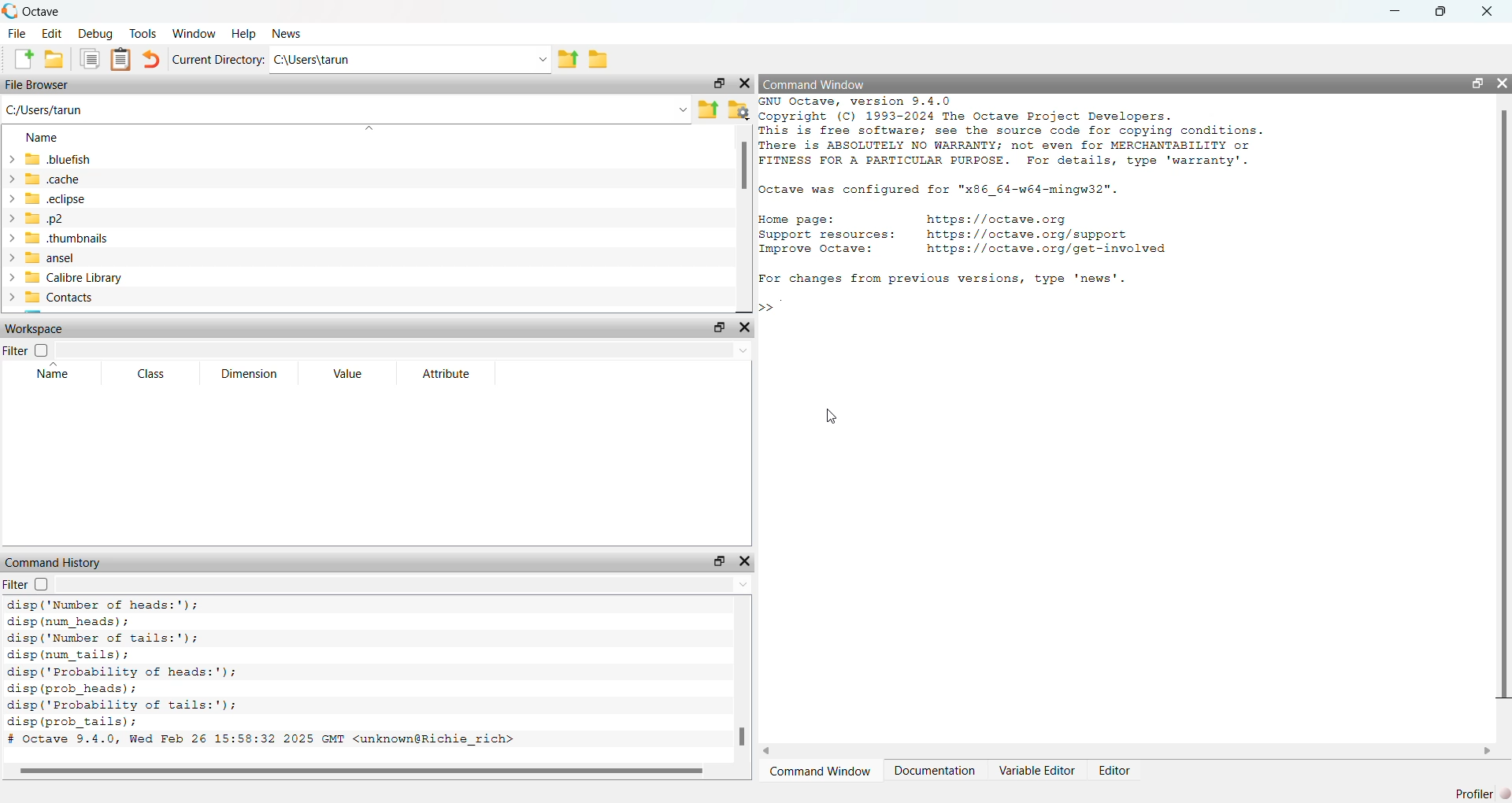 The width and height of the screenshot is (1512, 803). What do you see at coordinates (817, 83) in the screenshot?
I see `Command Window` at bounding box center [817, 83].